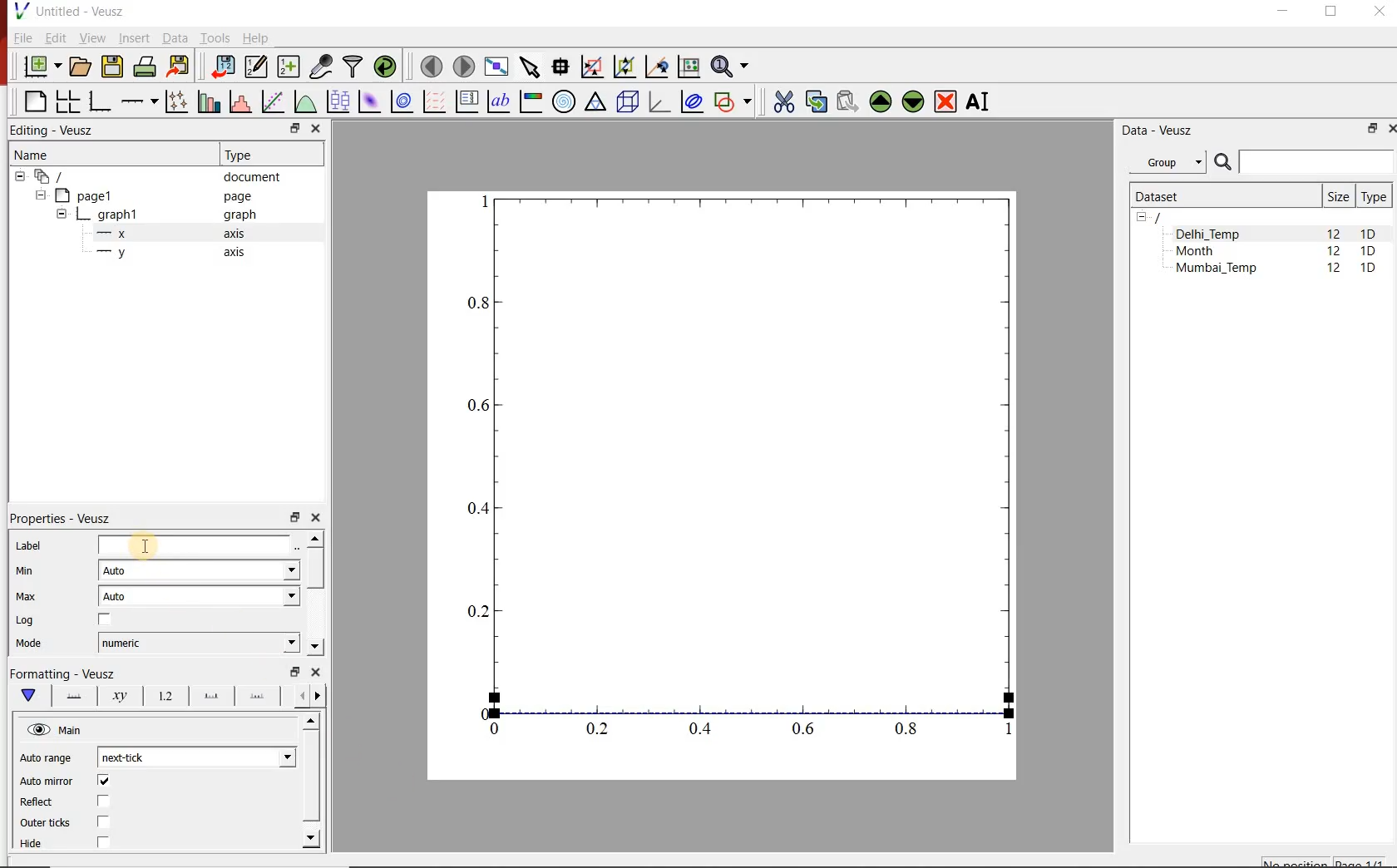 The image size is (1397, 868). I want to click on -x axis, so click(164, 234).